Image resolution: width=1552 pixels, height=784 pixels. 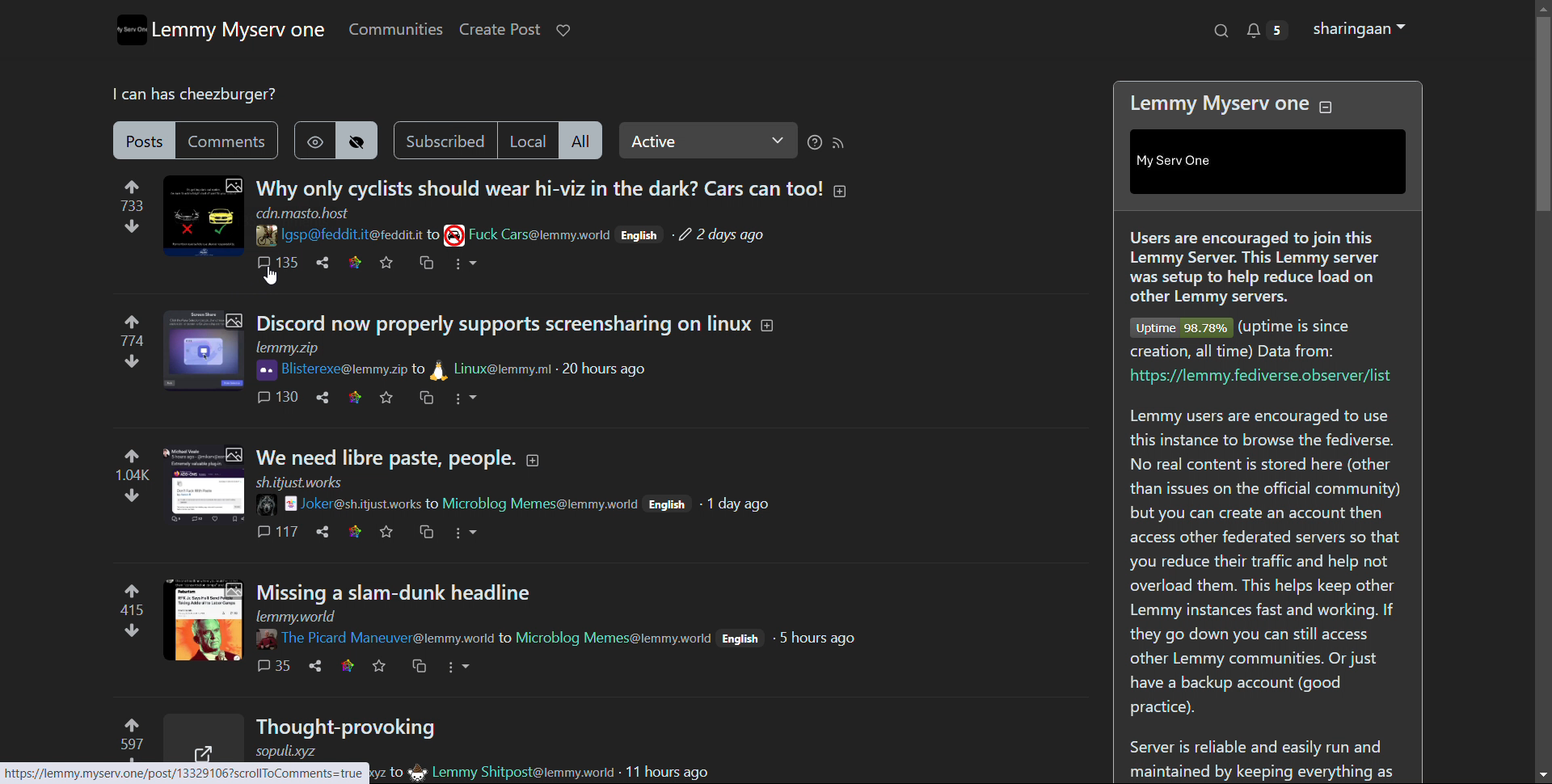 What do you see at coordinates (1268, 30) in the screenshot?
I see `notifications` at bounding box center [1268, 30].